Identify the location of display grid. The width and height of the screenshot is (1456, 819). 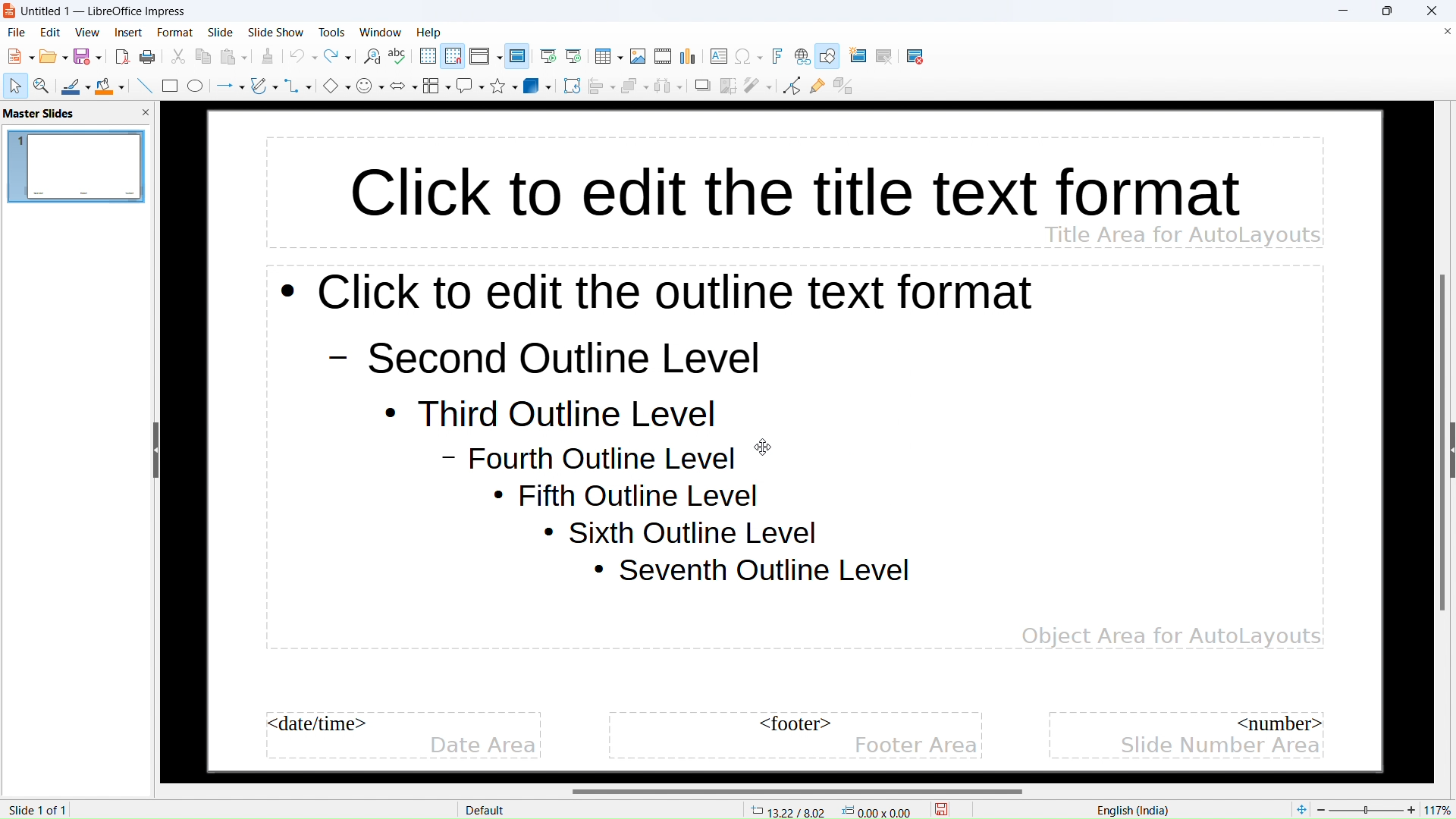
(428, 56).